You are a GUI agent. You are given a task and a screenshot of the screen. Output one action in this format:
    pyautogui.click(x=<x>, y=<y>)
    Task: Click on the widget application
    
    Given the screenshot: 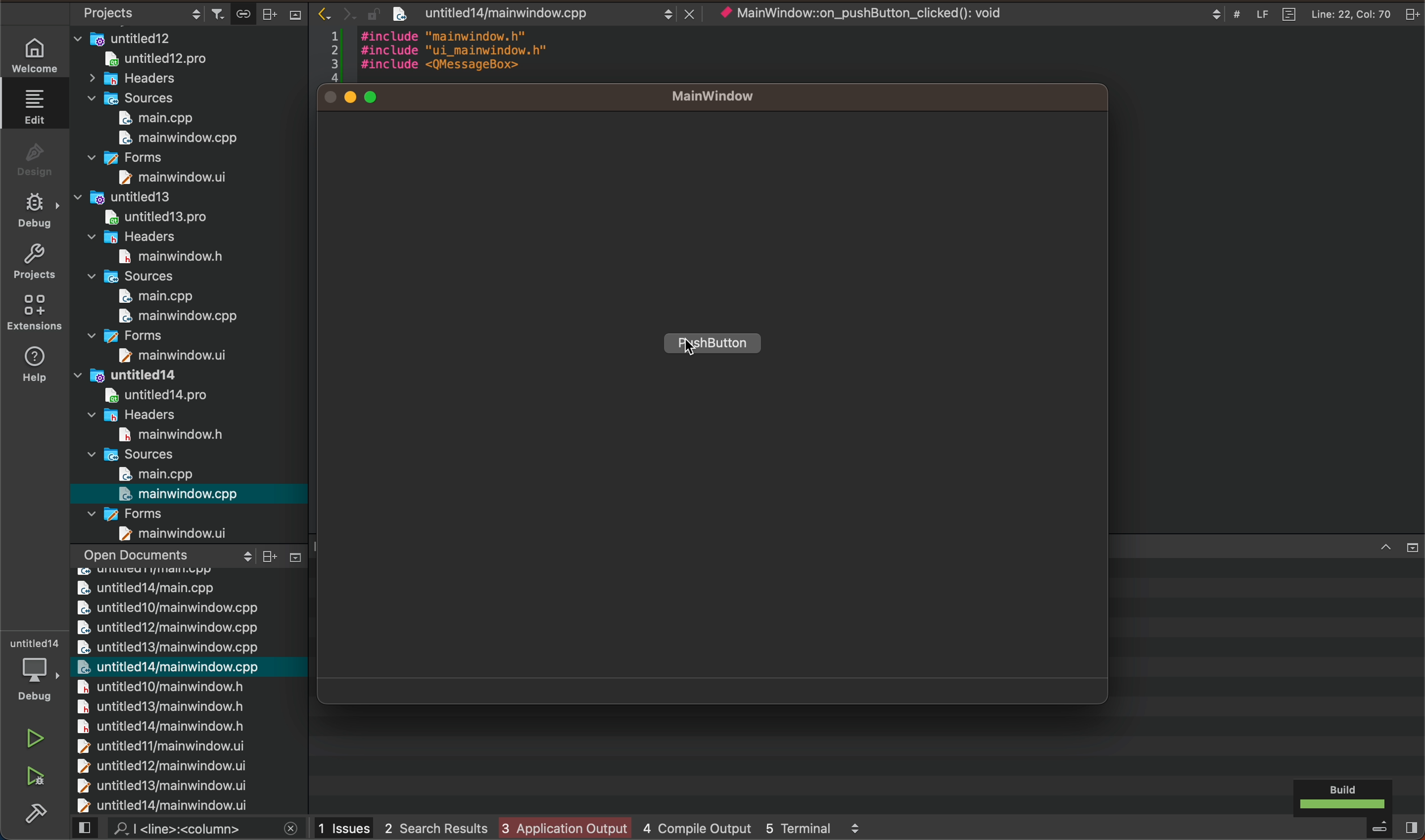 What is the action you would take?
    pyautogui.click(x=713, y=396)
    